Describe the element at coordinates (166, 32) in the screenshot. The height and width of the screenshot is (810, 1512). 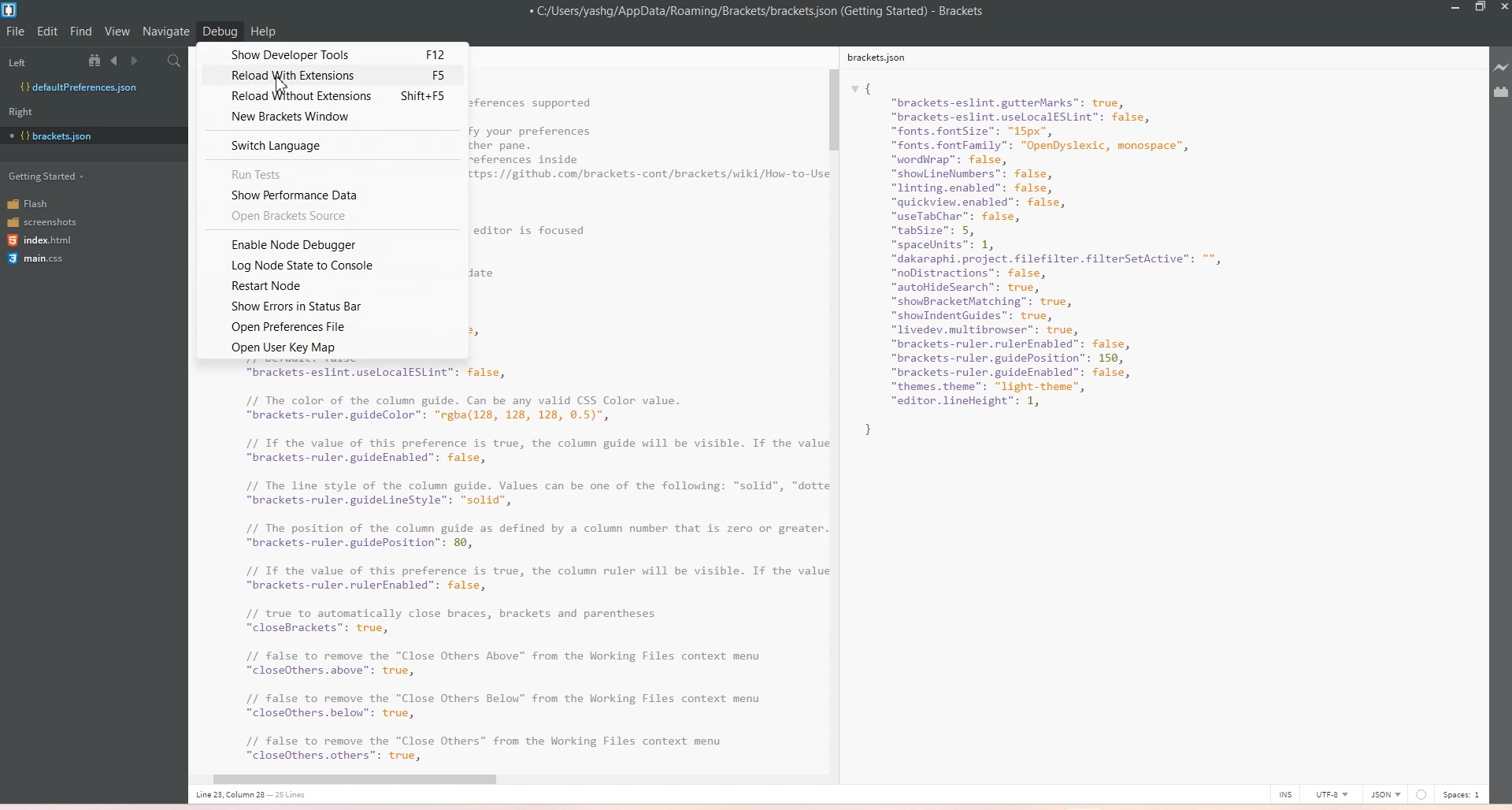
I see `Navigate` at that location.